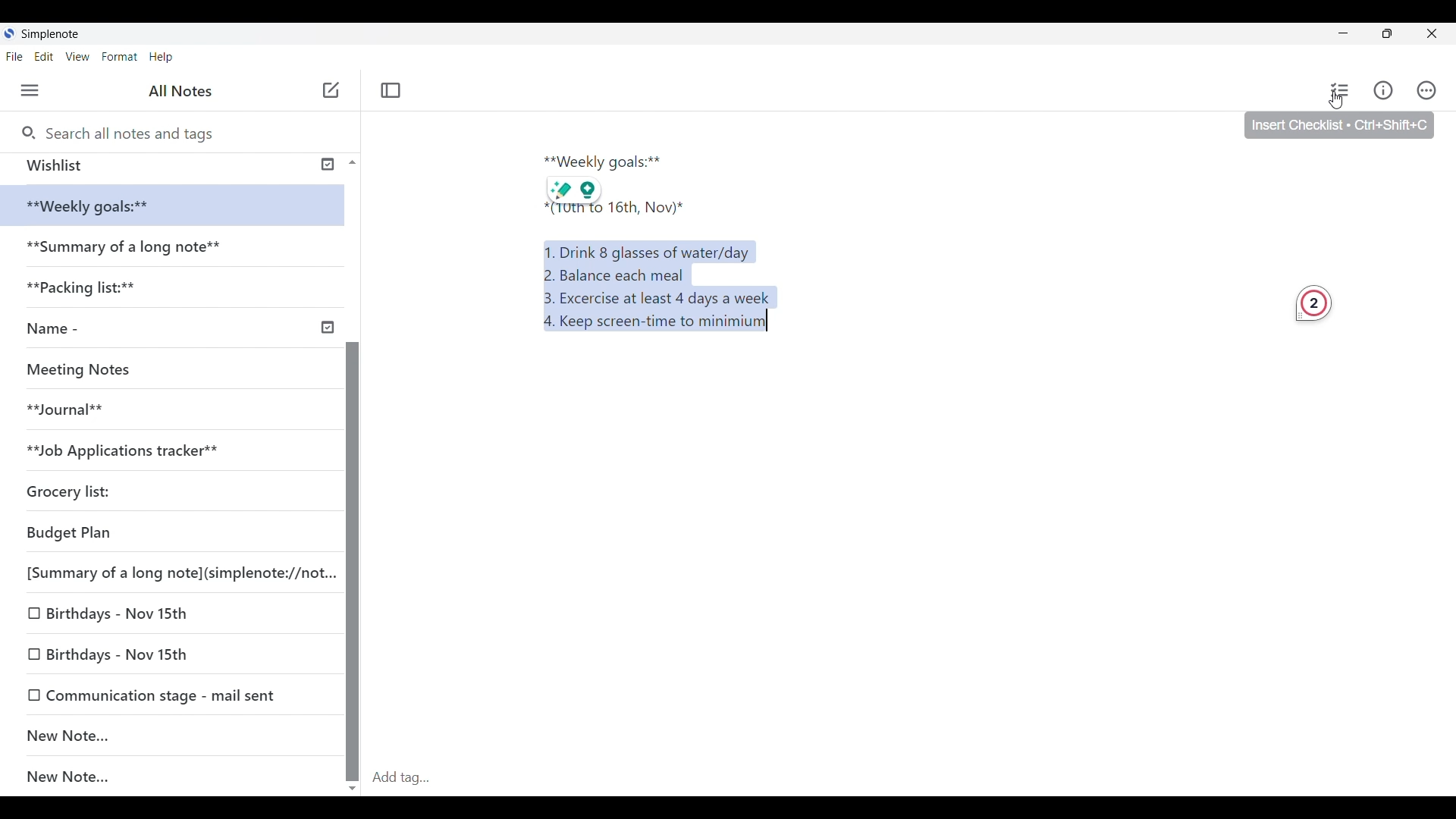 This screenshot has height=819, width=1456. What do you see at coordinates (162, 58) in the screenshot?
I see `Help` at bounding box center [162, 58].